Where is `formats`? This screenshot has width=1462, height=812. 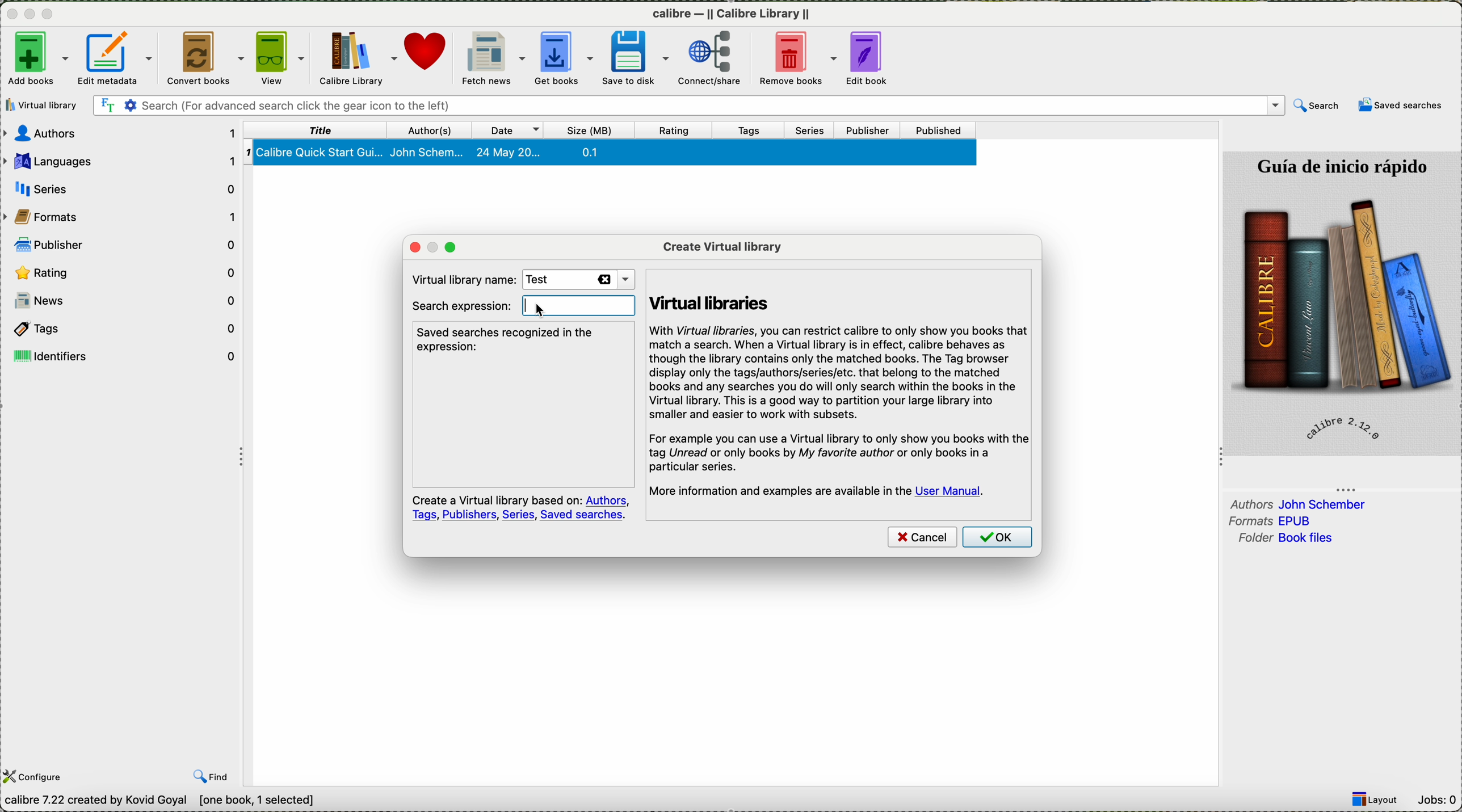
formats is located at coordinates (123, 216).